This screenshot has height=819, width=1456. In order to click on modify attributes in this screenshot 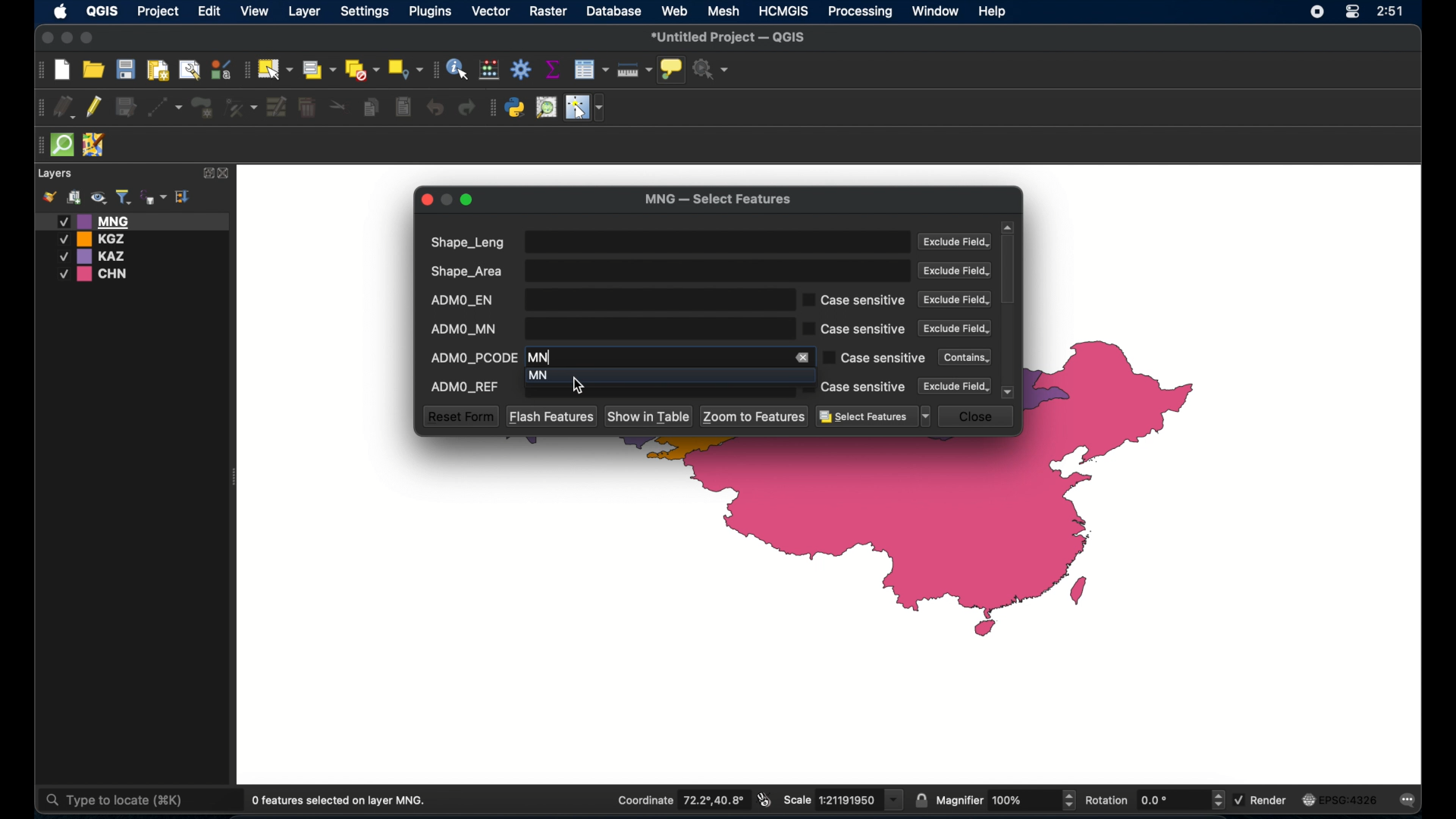, I will do `click(277, 108)`.